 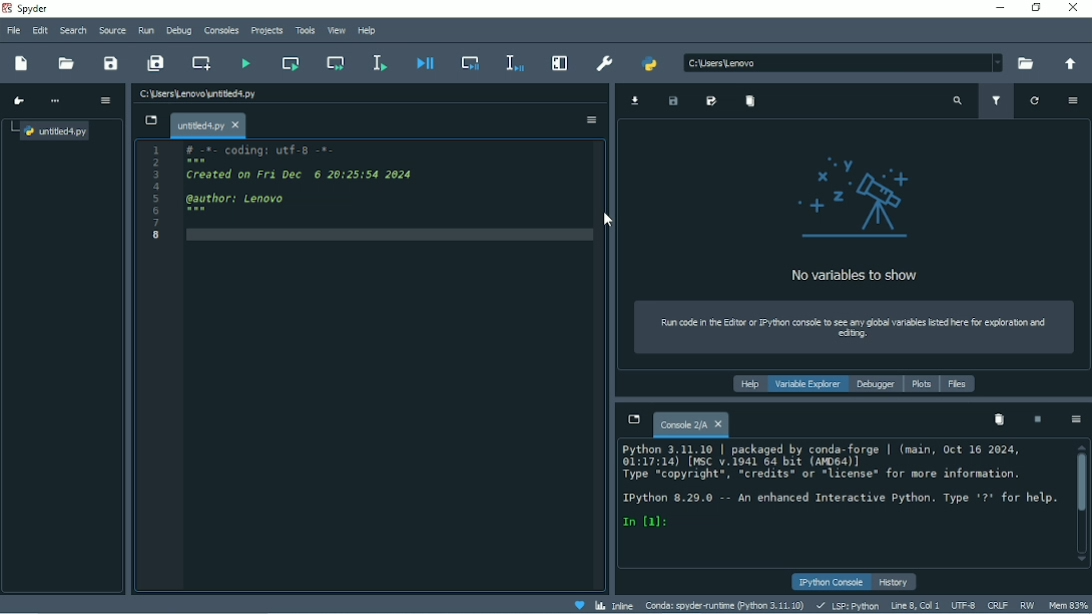 What do you see at coordinates (649, 65) in the screenshot?
I see `PYTHONPATH manager` at bounding box center [649, 65].